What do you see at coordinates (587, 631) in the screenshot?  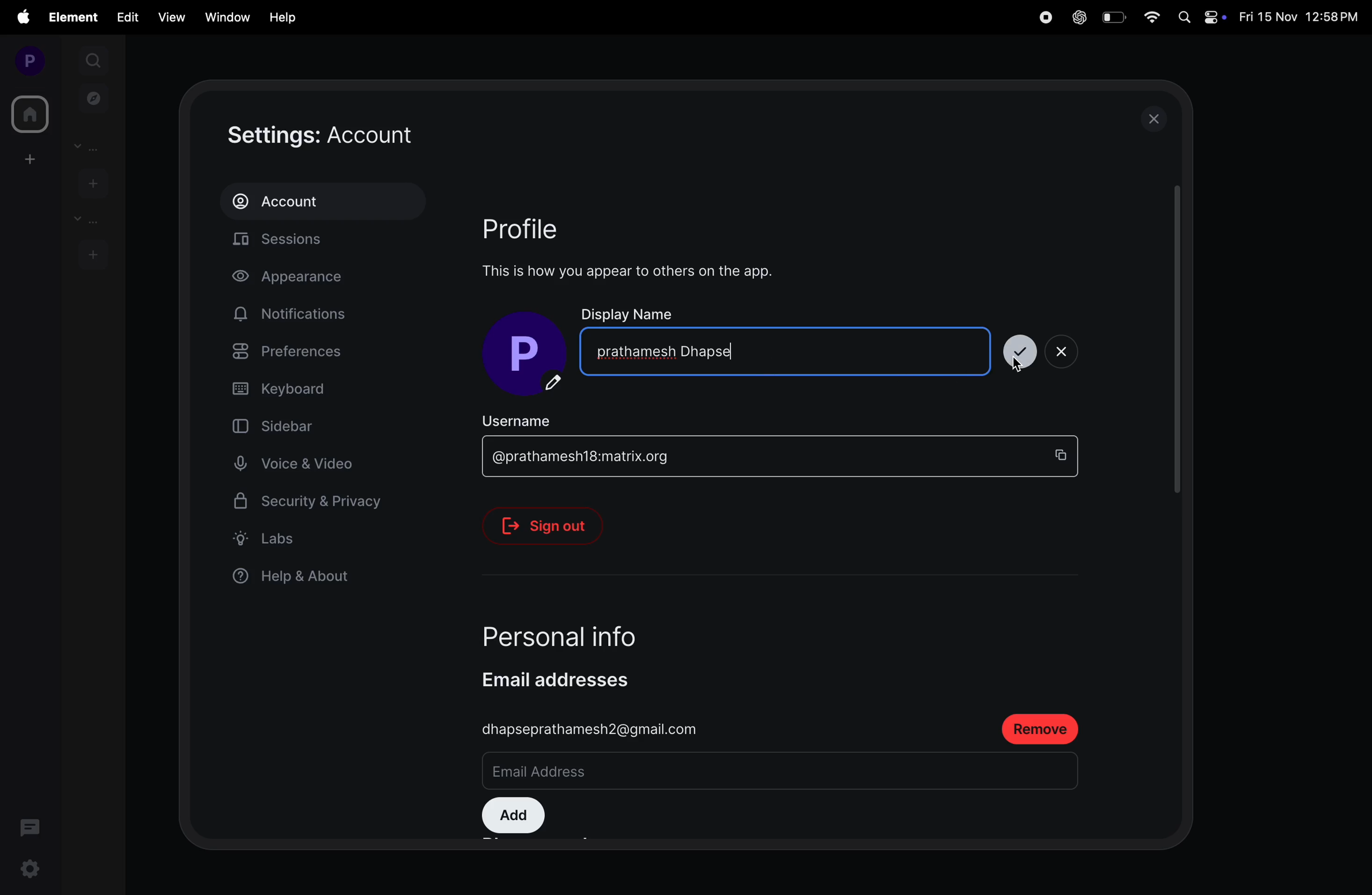 I see `personal info` at bounding box center [587, 631].